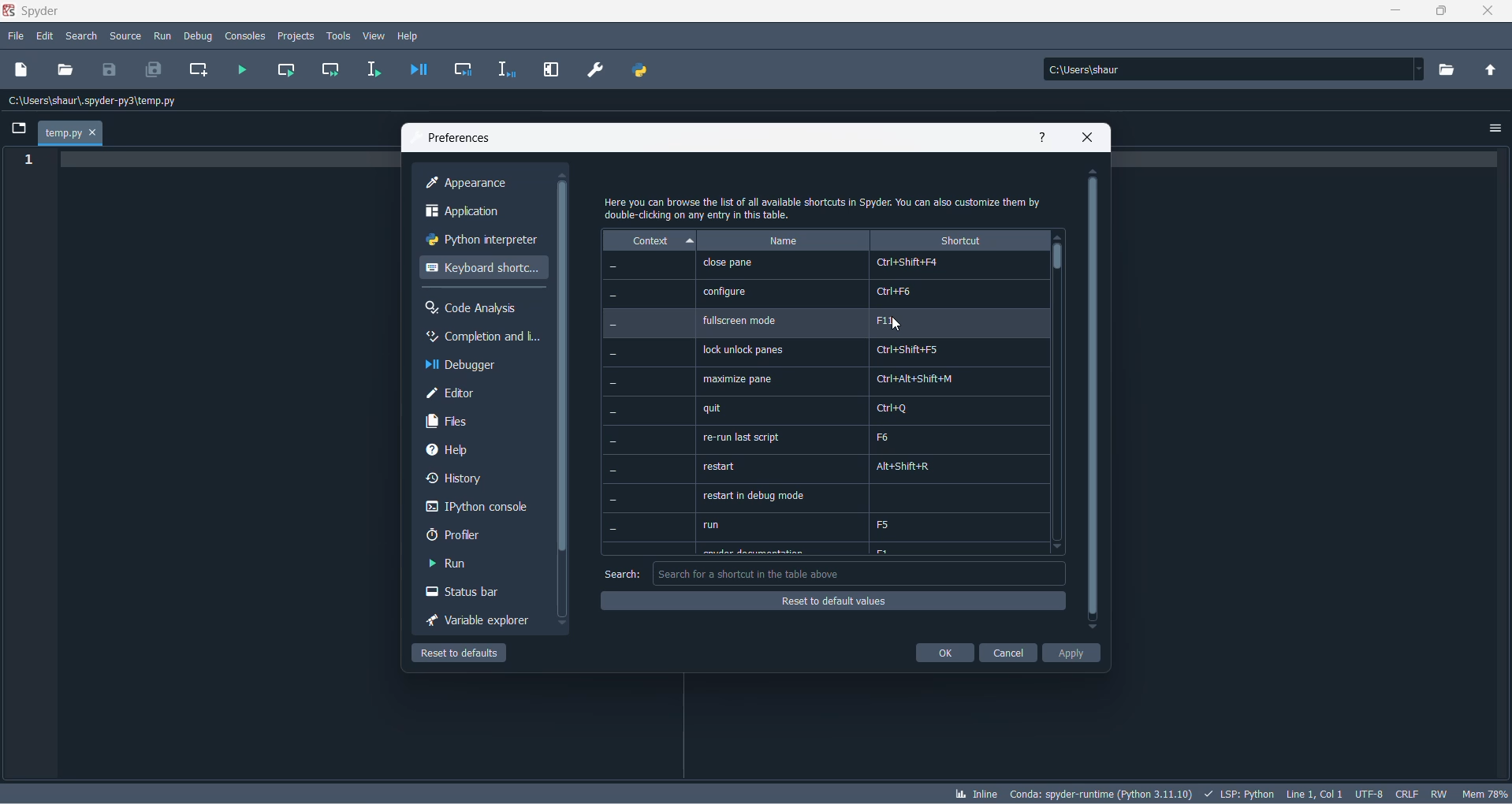 This screenshot has width=1512, height=804. I want to click on status bar, so click(472, 594).